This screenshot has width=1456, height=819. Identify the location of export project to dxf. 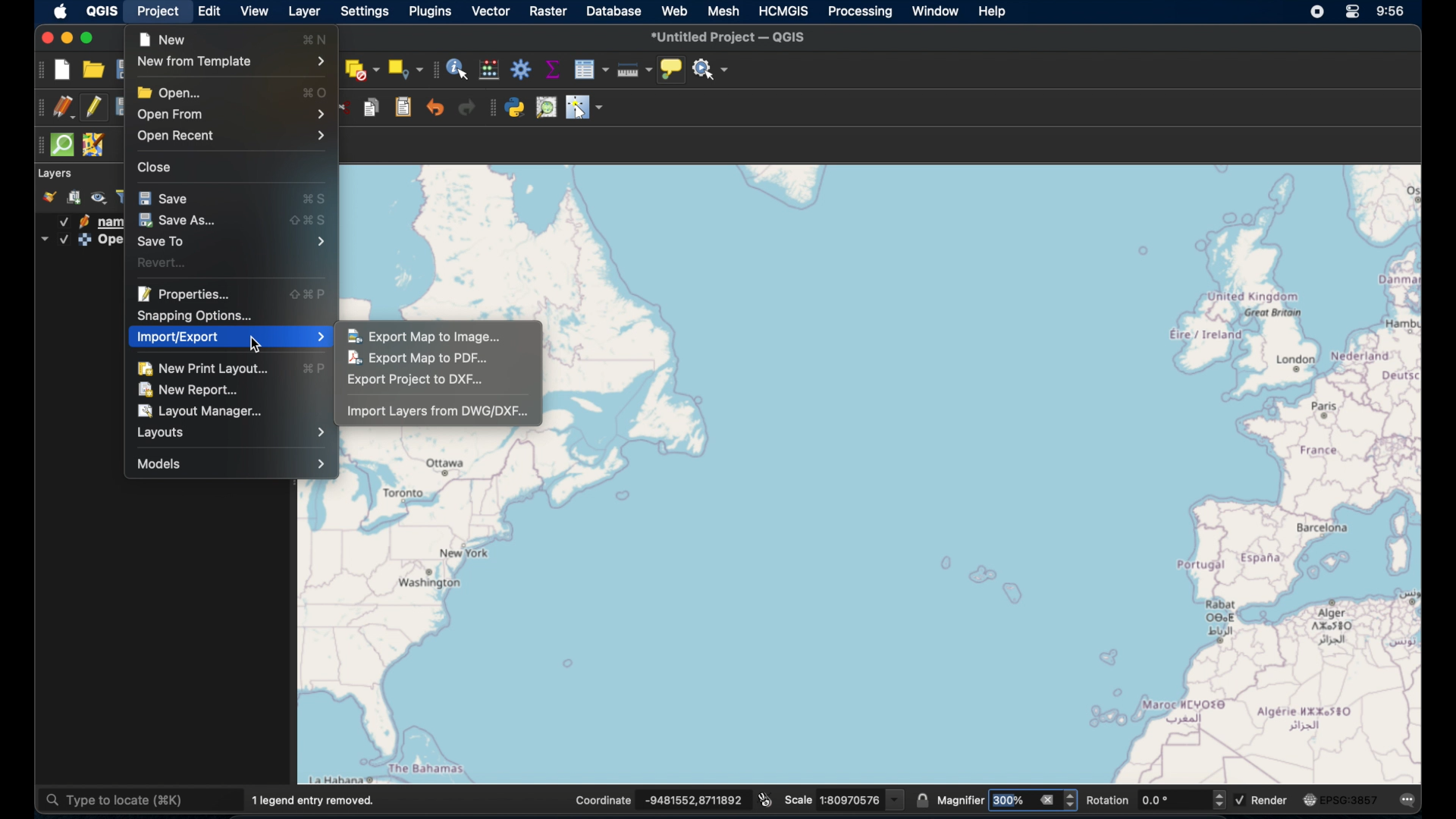
(416, 381).